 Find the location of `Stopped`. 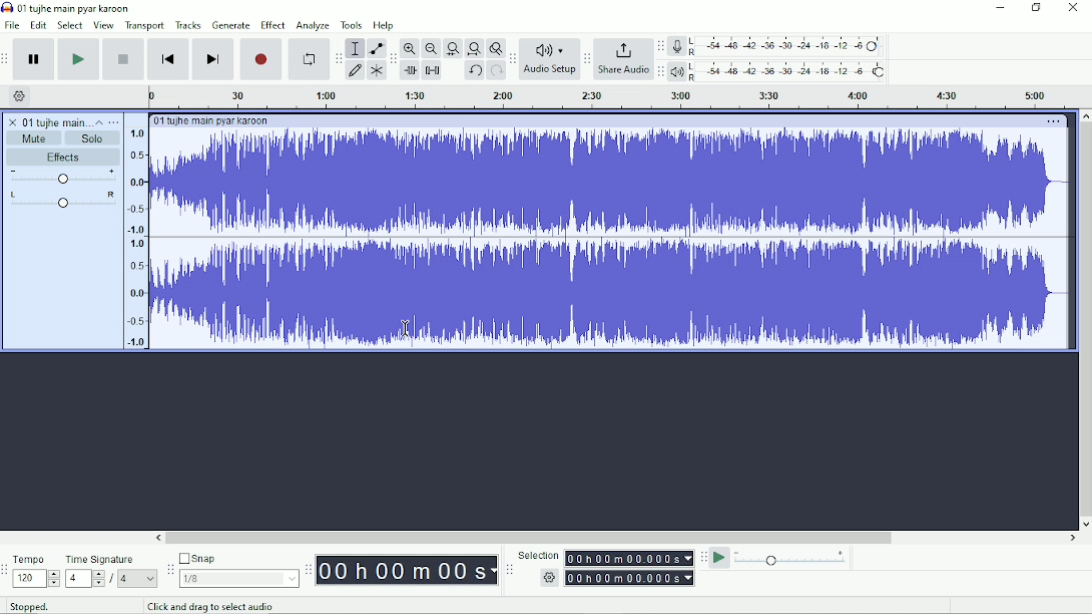

Stopped is located at coordinates (35, 607).